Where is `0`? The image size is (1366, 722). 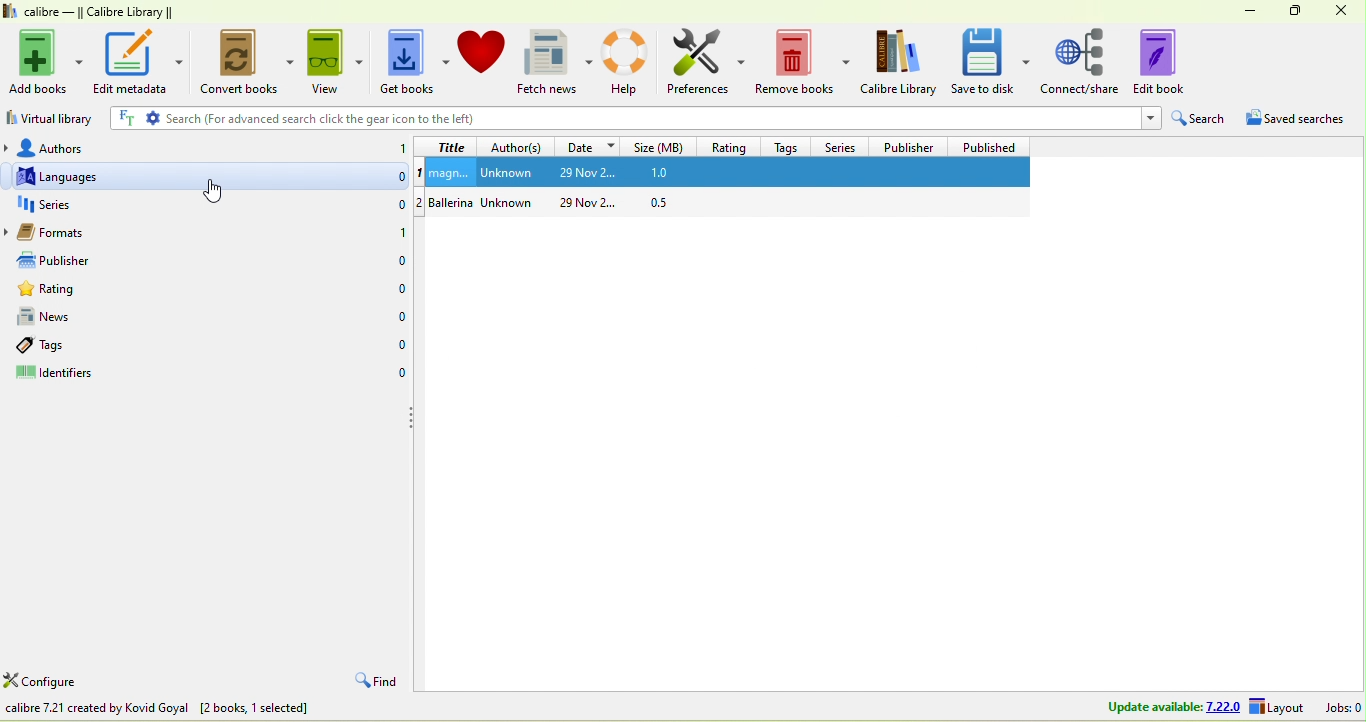 0 is located at coordinates (395, 375).